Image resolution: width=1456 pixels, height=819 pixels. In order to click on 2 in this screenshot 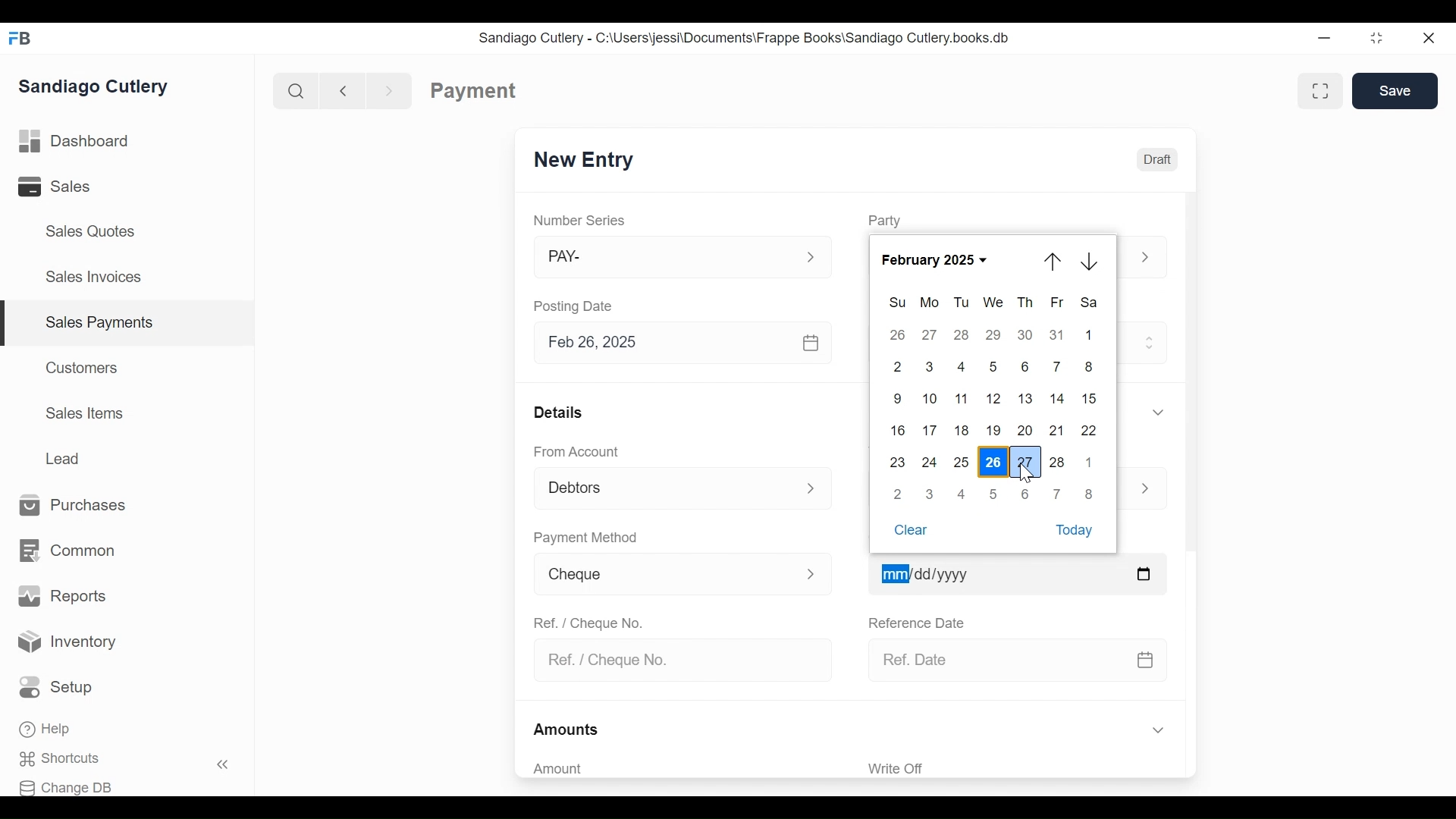, I will do `click(899, 494)`.